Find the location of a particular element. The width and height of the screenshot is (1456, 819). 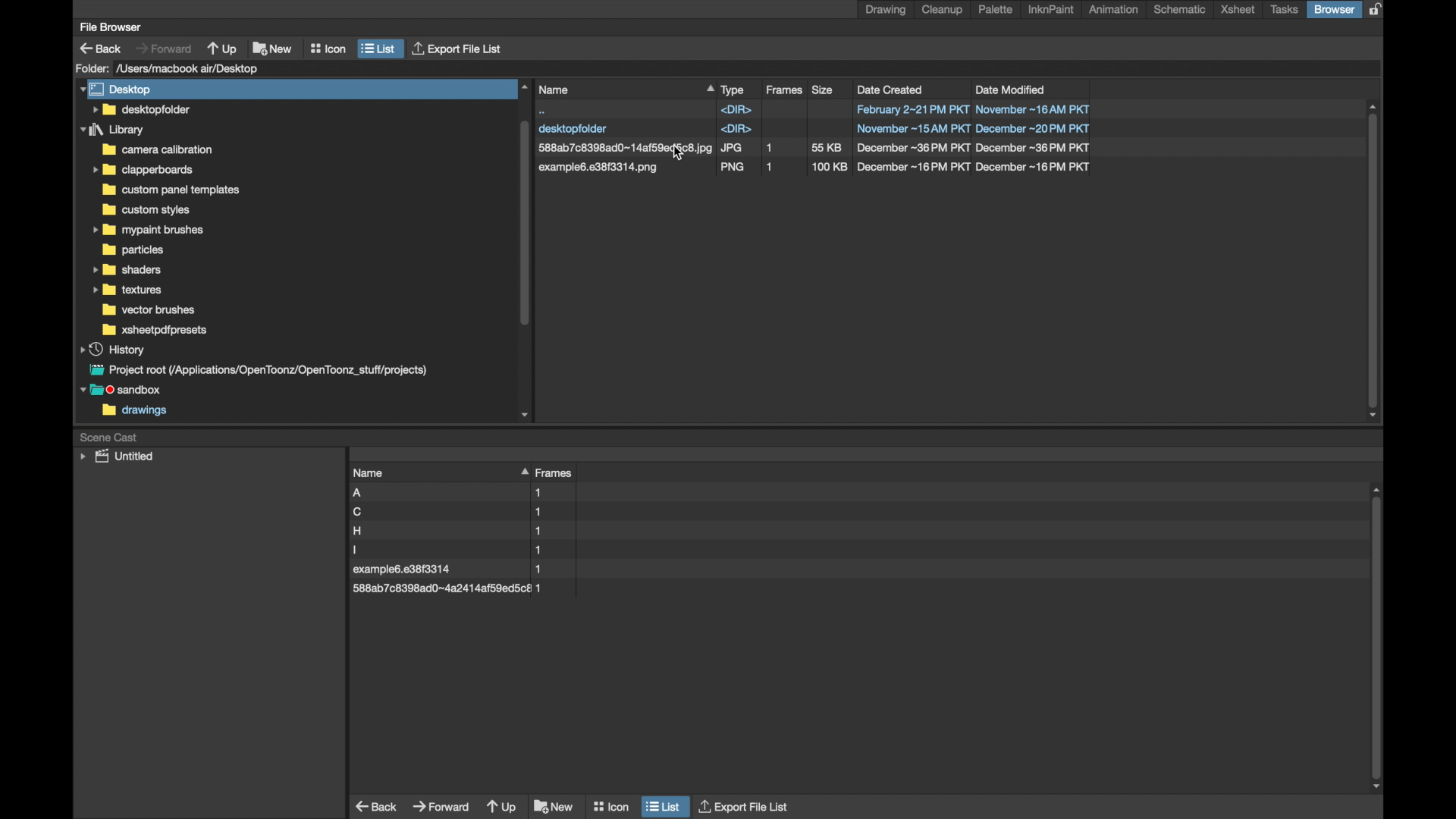

list is located at coordinates (379, 49).